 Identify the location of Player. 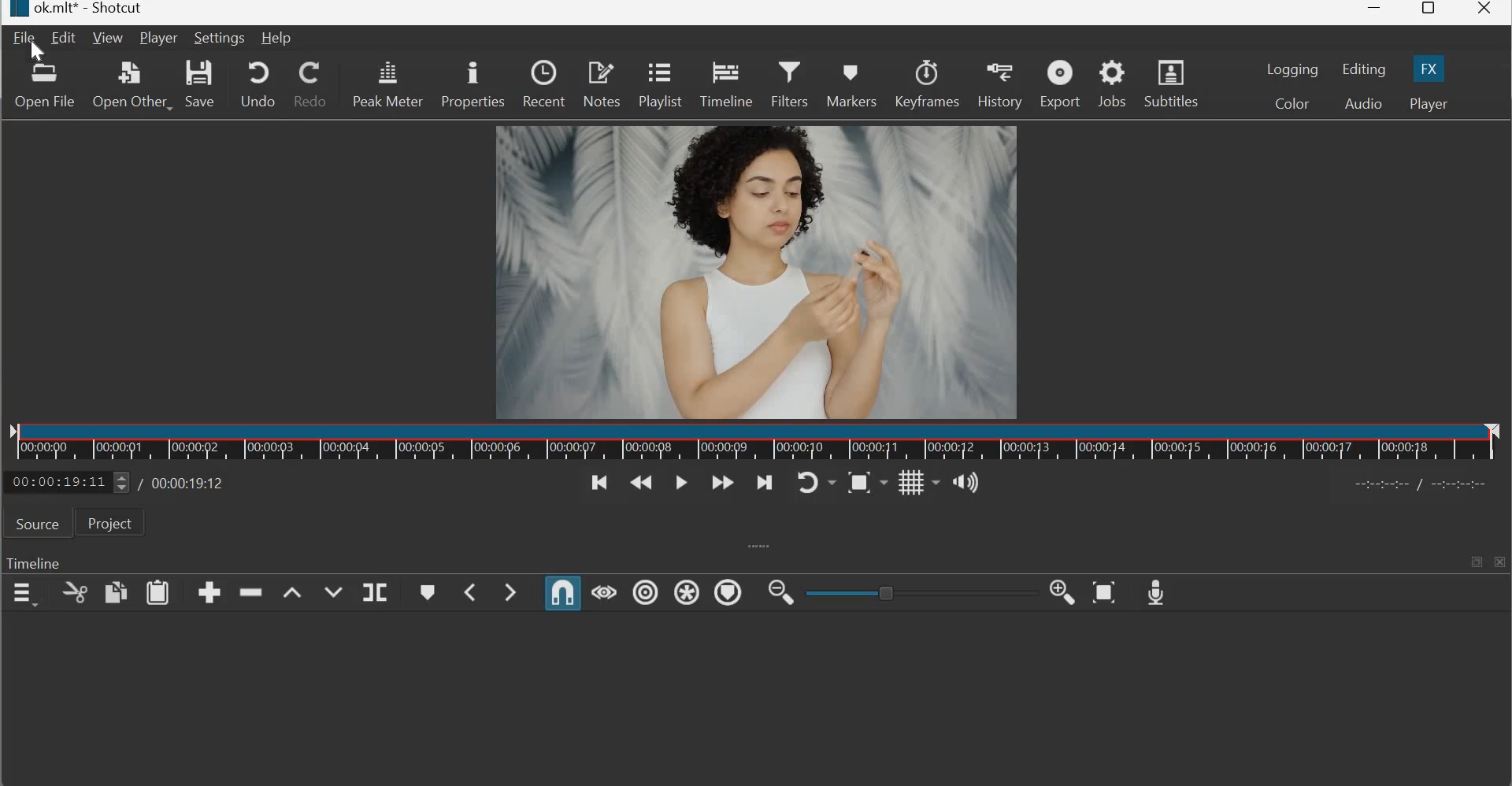
(1428, 104).